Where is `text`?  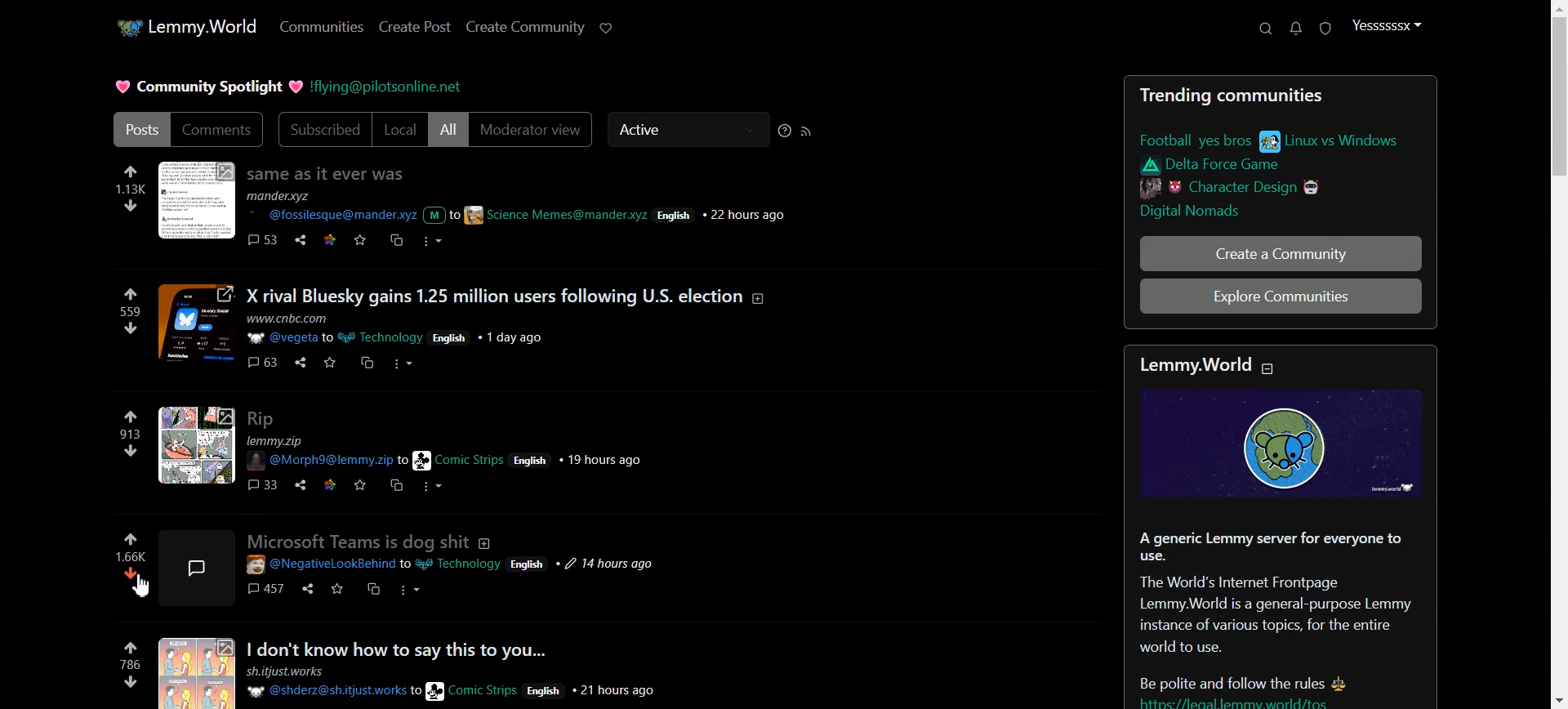 text is located at coordinates (1217, 365).